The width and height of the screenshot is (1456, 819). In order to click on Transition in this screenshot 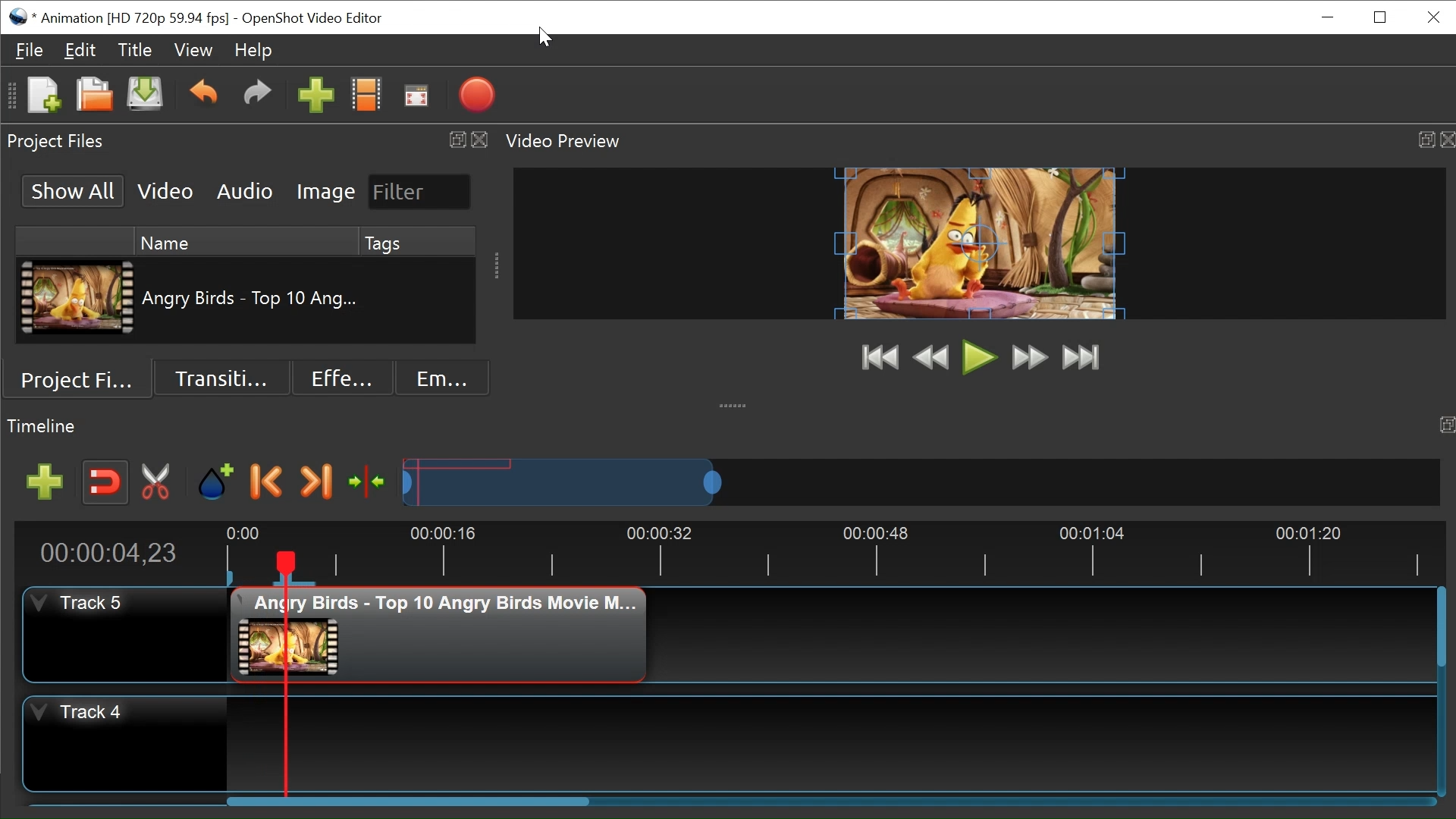, I will do `click(219, 379)`.